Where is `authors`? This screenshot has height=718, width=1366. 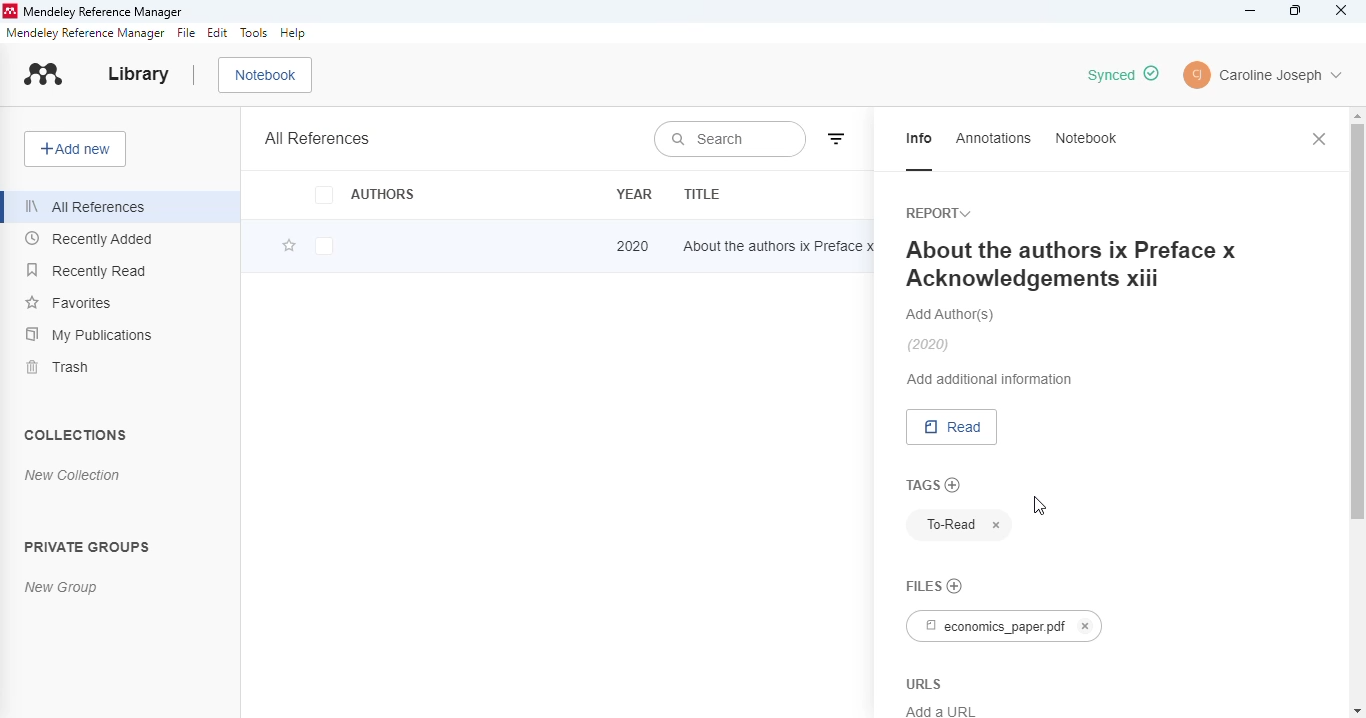 authors is located at coordinates (365, 194).